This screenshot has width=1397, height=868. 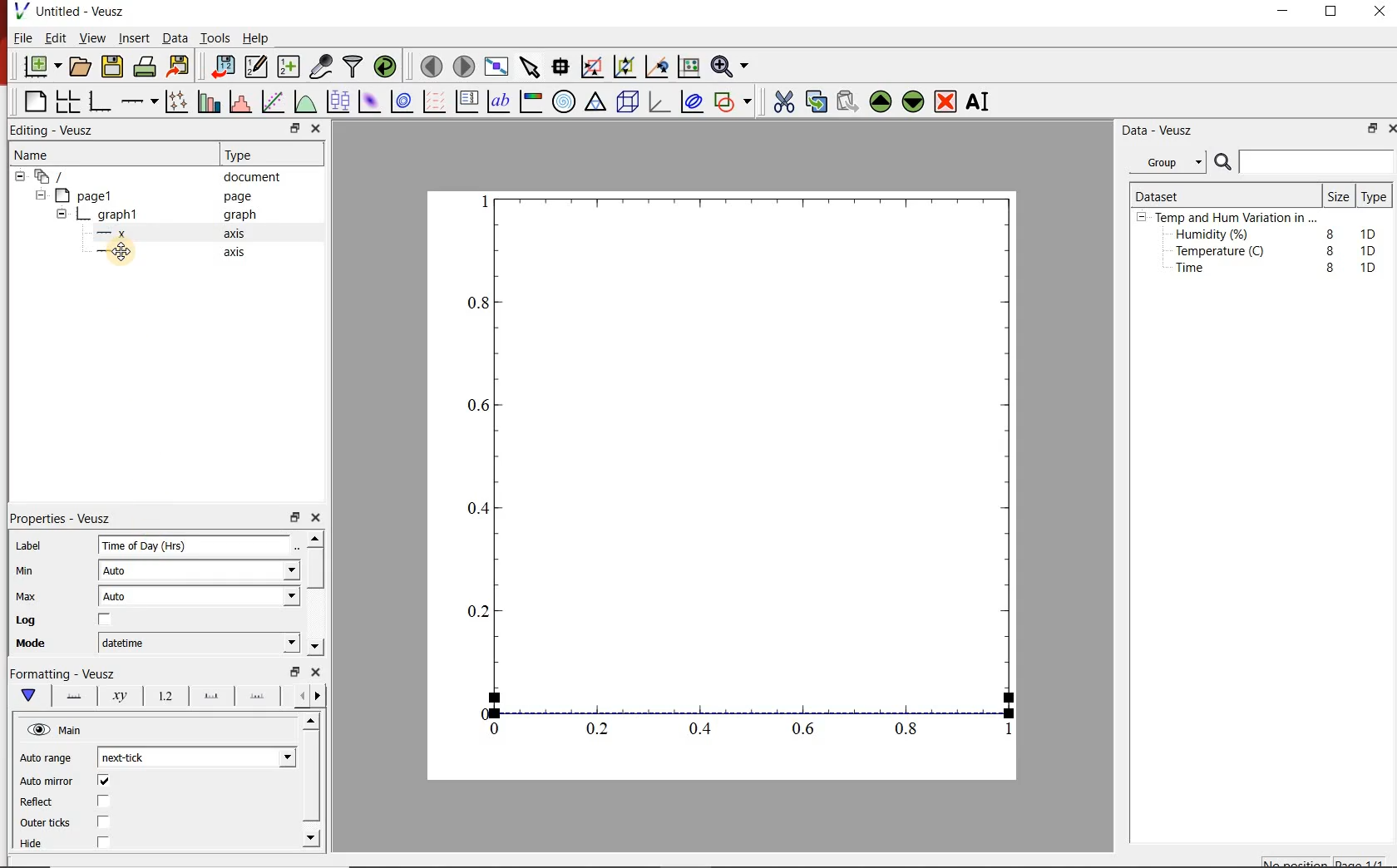 I want to click on 0.4, so click(x=703, y=730).